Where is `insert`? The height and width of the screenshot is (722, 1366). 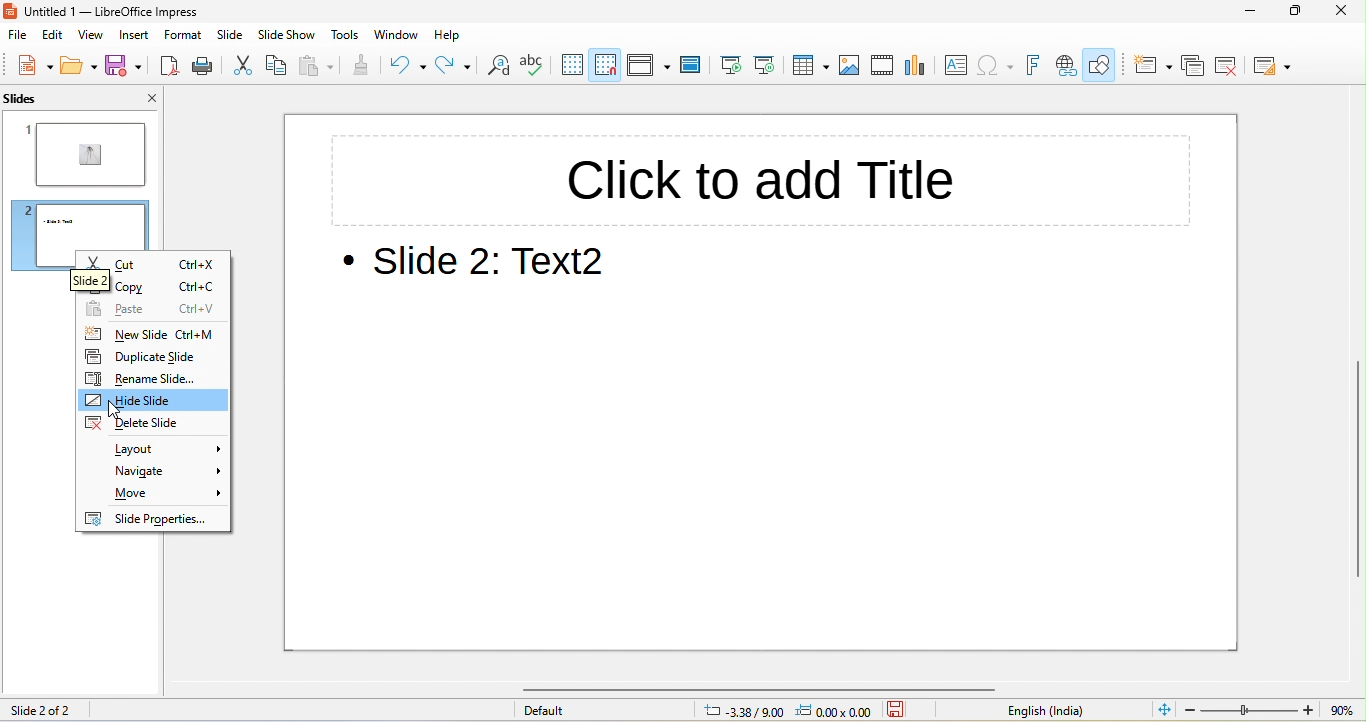 insert is located at coordinates (140, 38).